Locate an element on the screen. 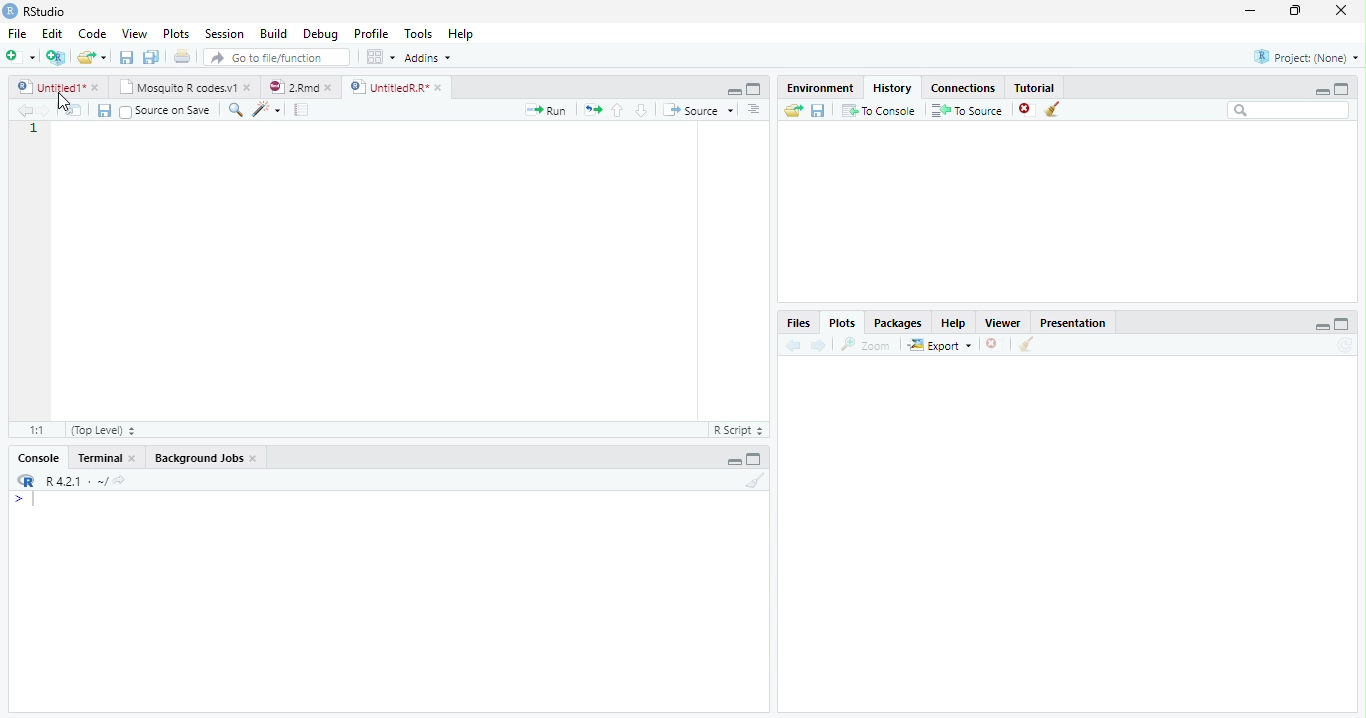  Save all open documents is located at coordinates (152, 57).